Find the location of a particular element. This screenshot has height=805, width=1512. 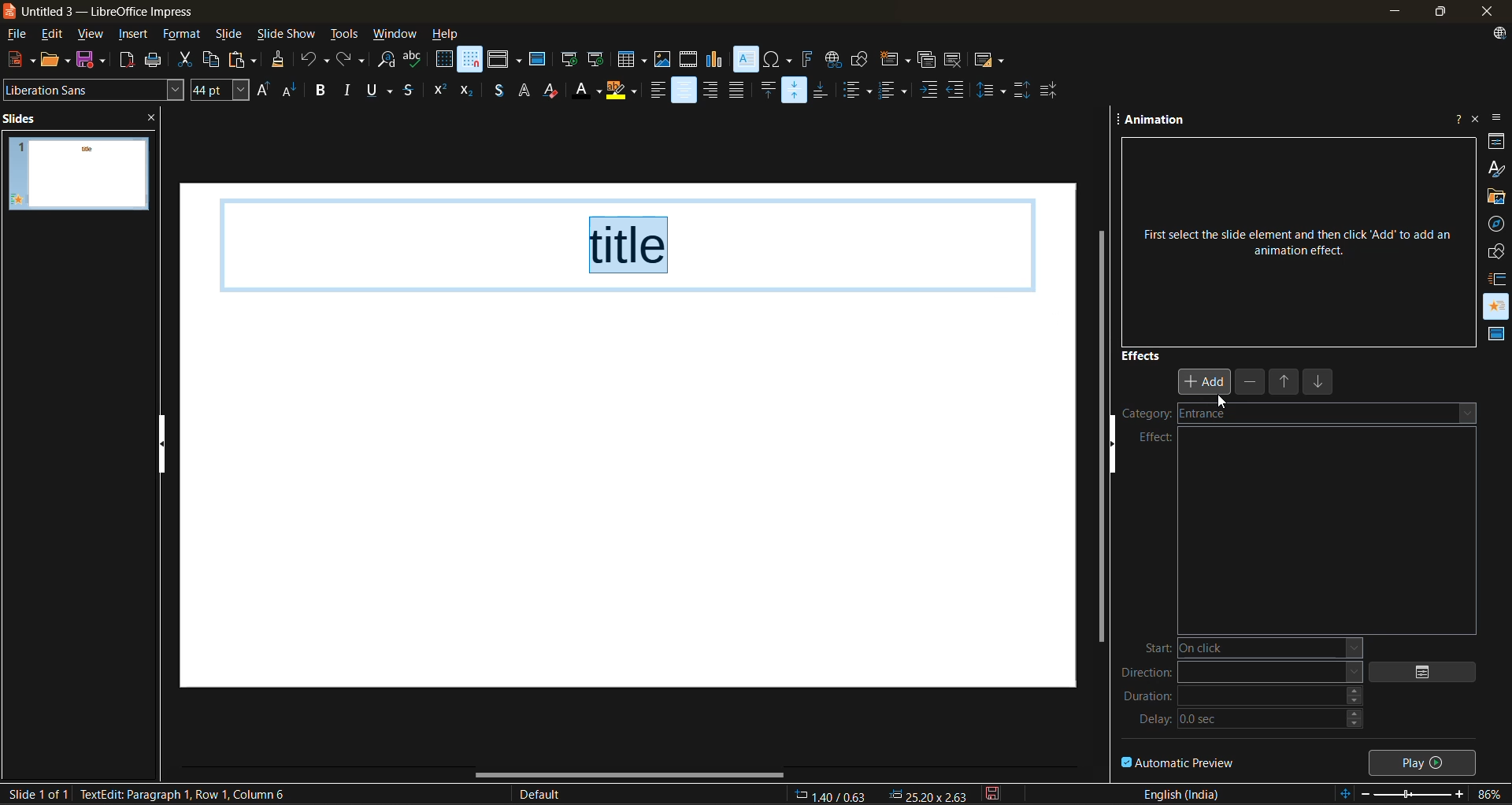

increase indent is located at coordinates (930, 91).